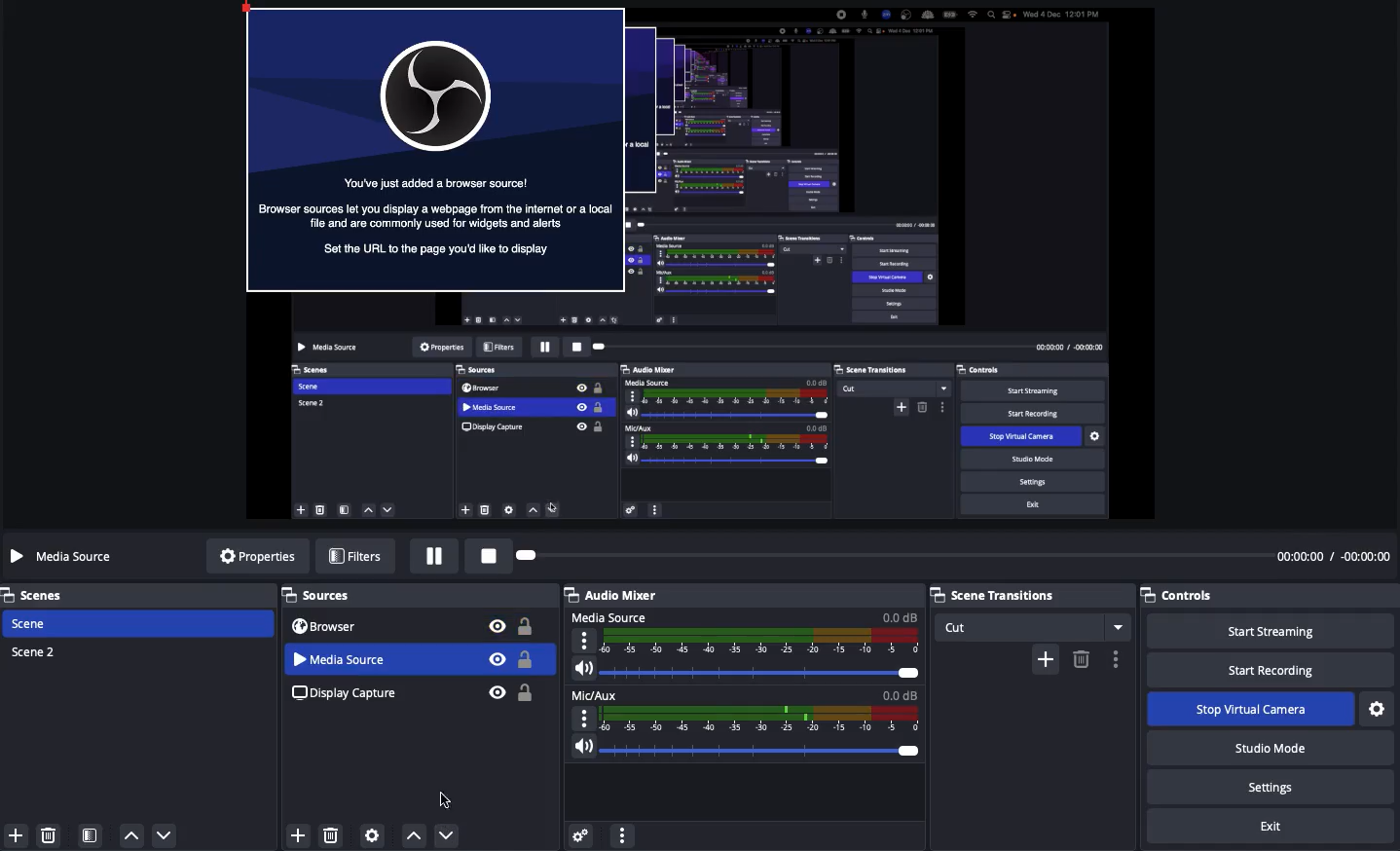  What do you see at coordinates (746, 668) in the screenshot?
I see `Volume` at bounding box center [746, 668].